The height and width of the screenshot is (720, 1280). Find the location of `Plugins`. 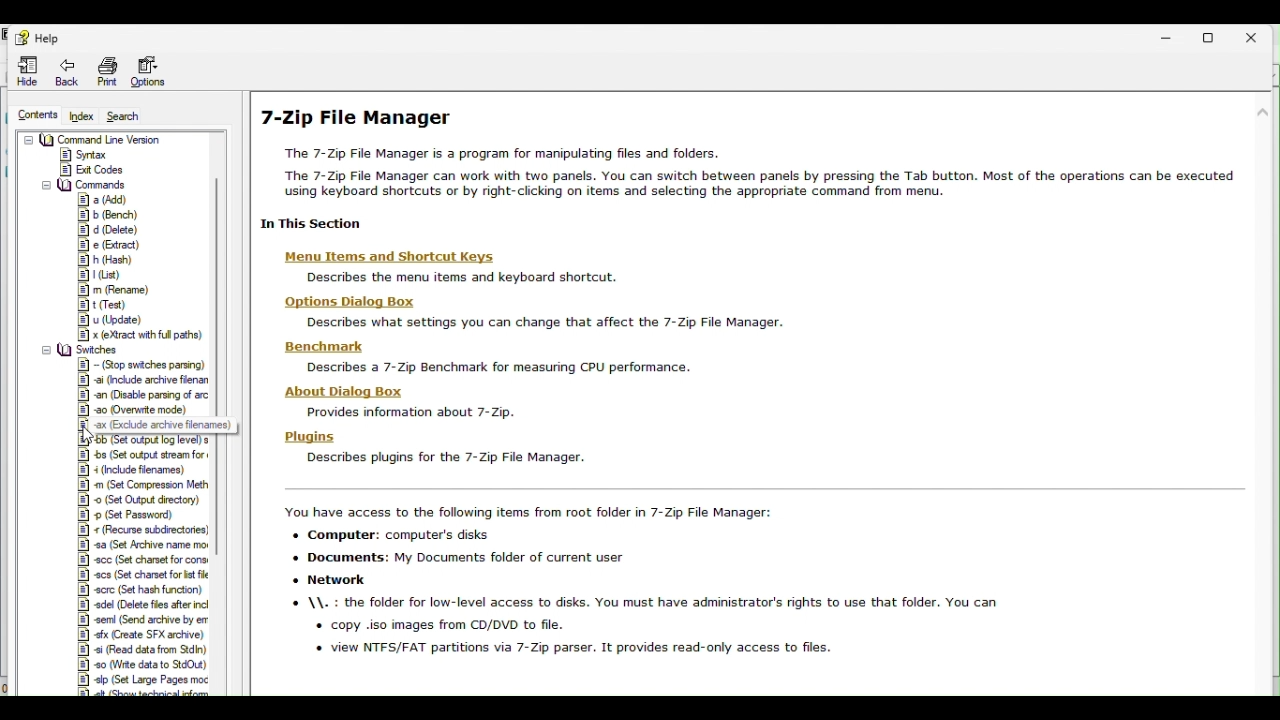

Plugins is located at coordinates (311, 439).